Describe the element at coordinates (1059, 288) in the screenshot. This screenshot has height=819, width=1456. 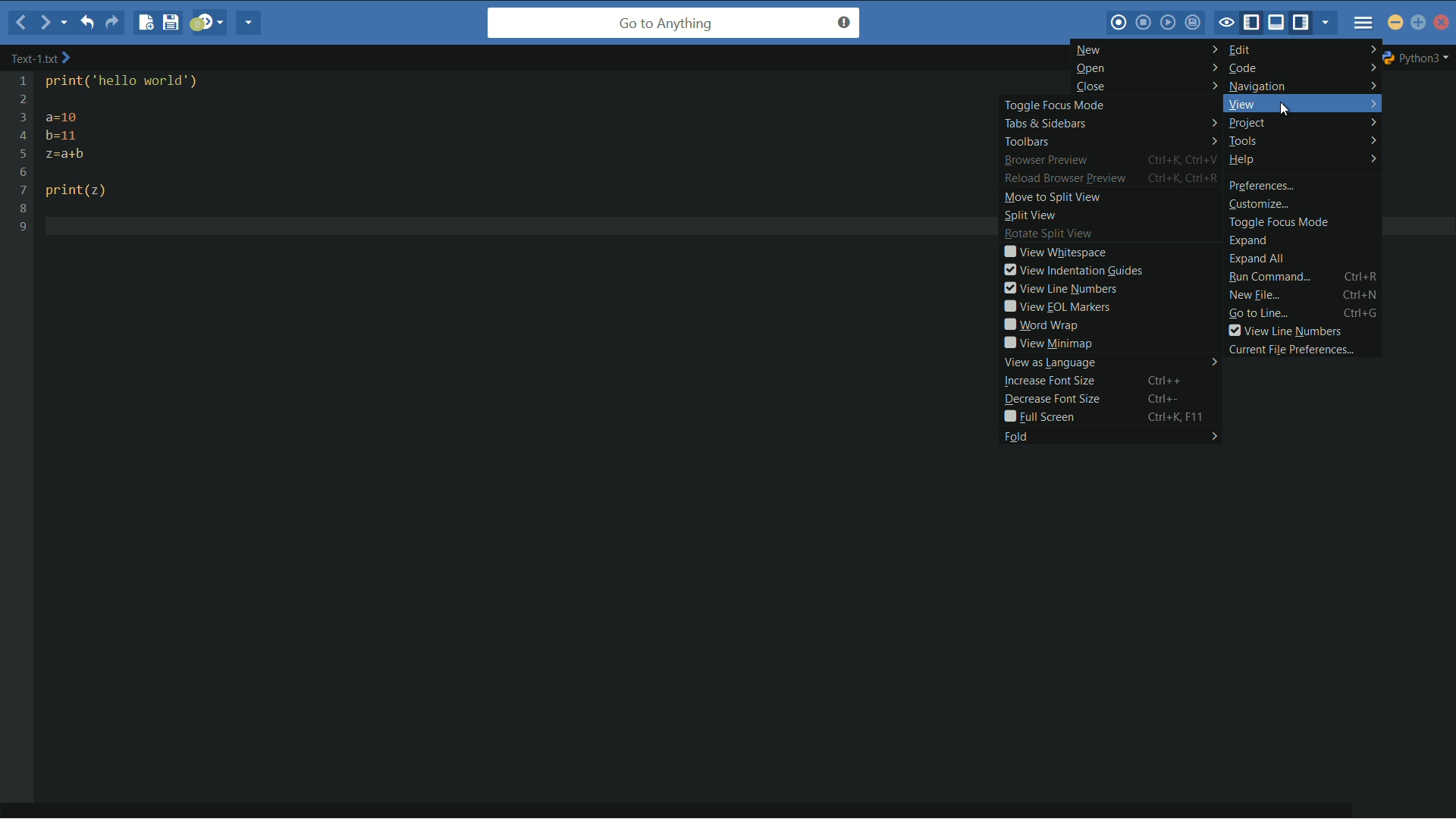
I see `view line numbers` at that location.